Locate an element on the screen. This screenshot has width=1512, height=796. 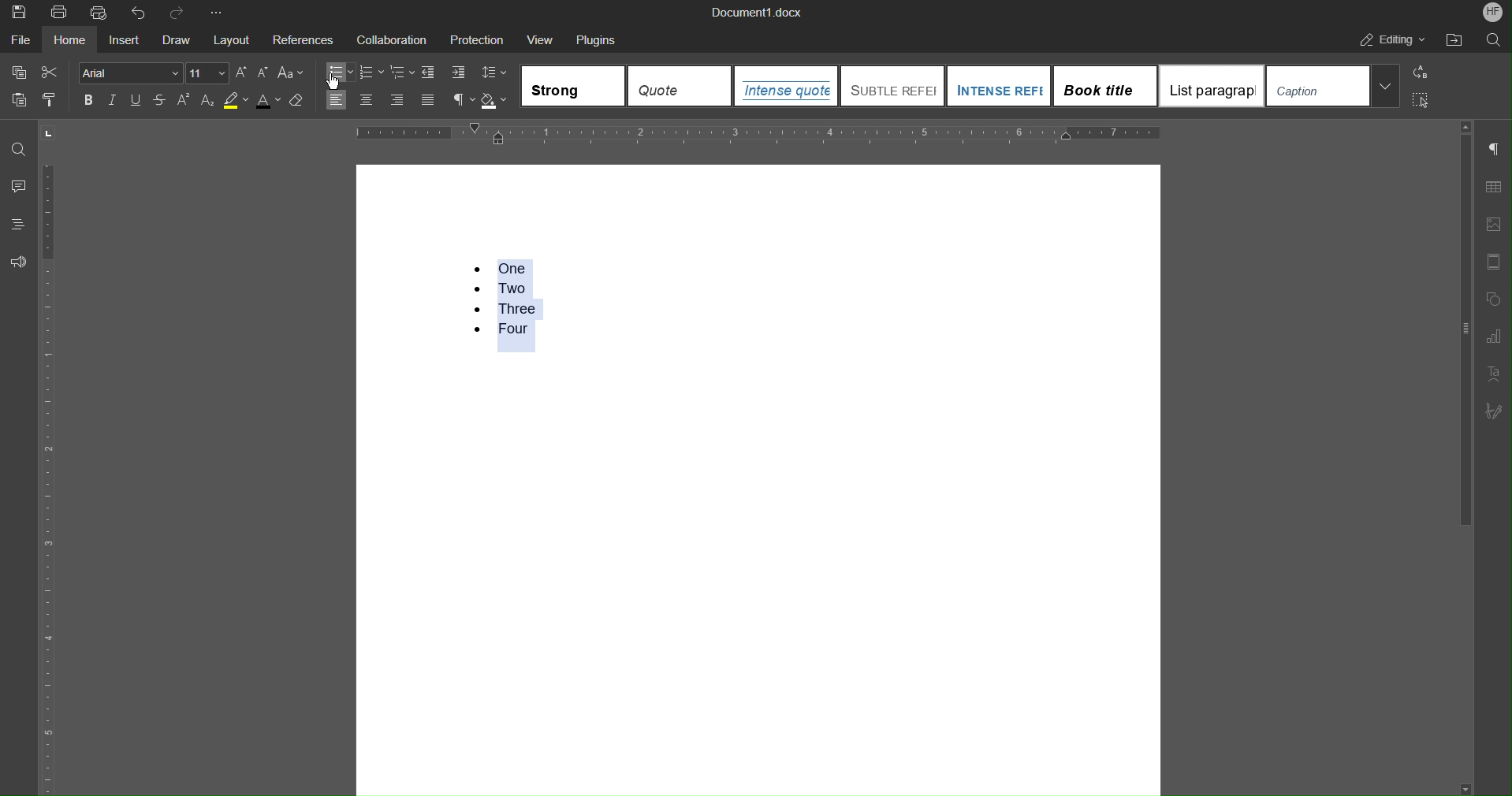
Vertical Ruler is located at coordinates (47, 476).